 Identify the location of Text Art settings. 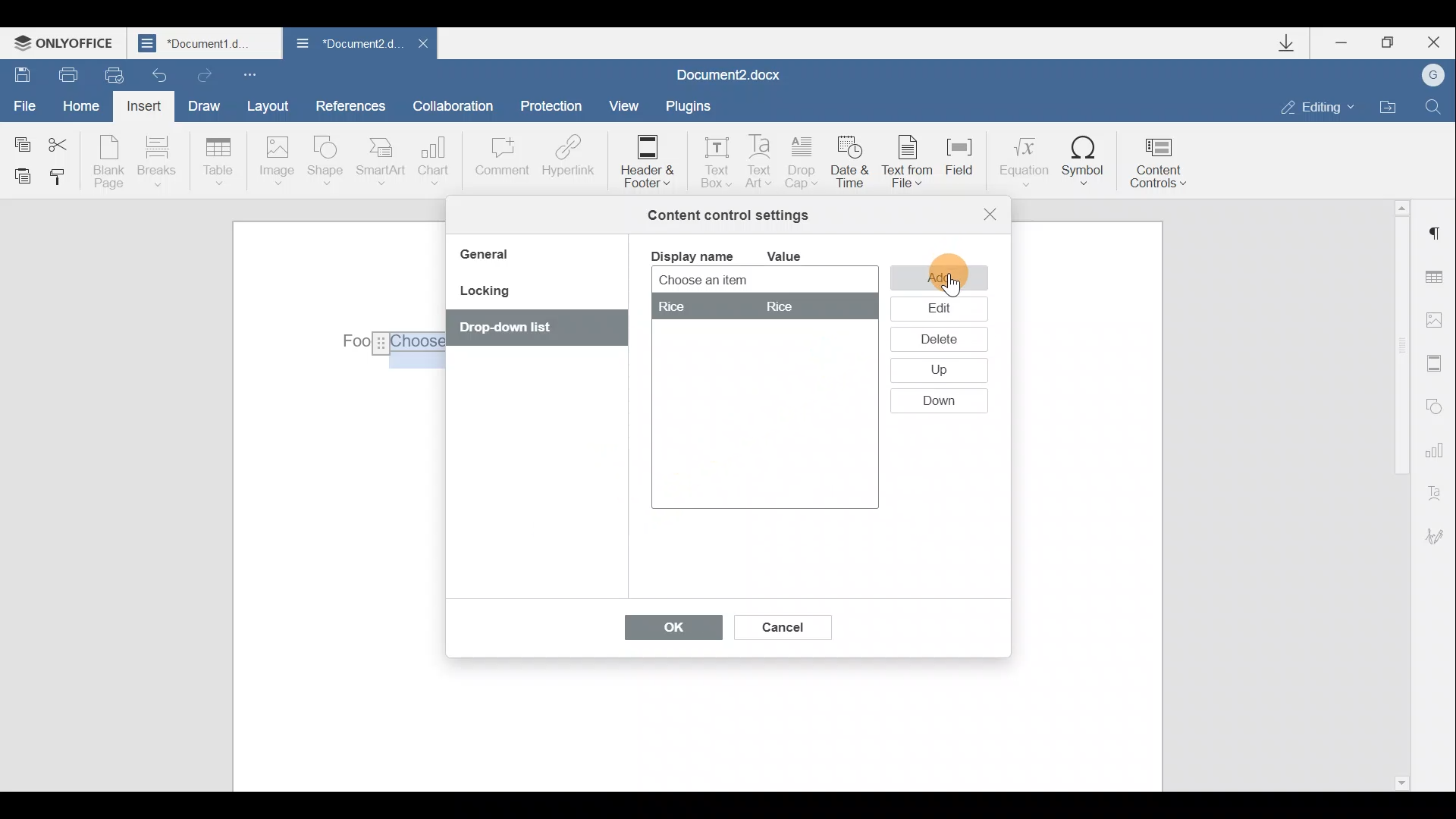
(1439, 490).